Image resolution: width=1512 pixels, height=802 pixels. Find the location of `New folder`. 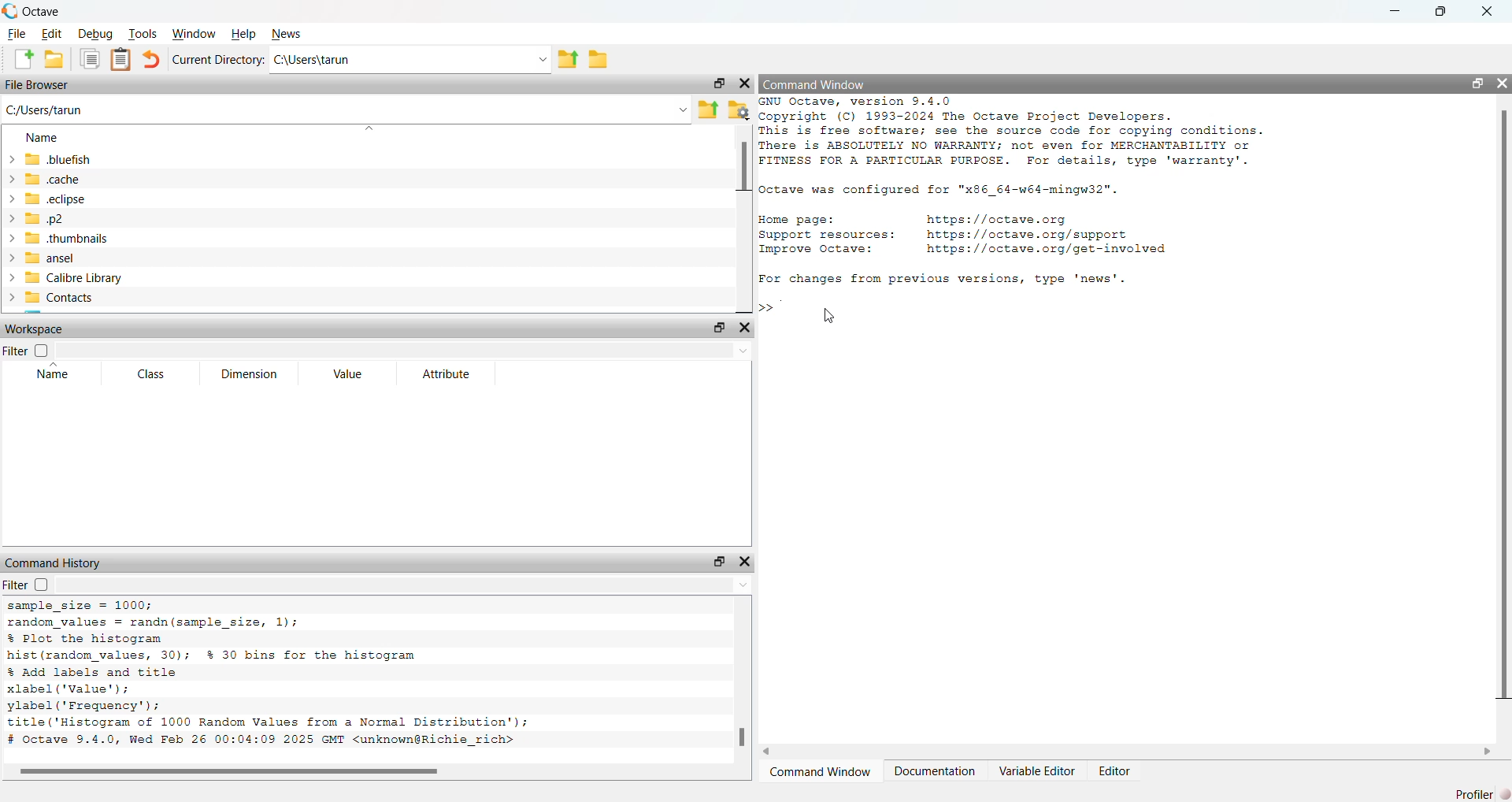

New folder is located at coordinates (54, 59).